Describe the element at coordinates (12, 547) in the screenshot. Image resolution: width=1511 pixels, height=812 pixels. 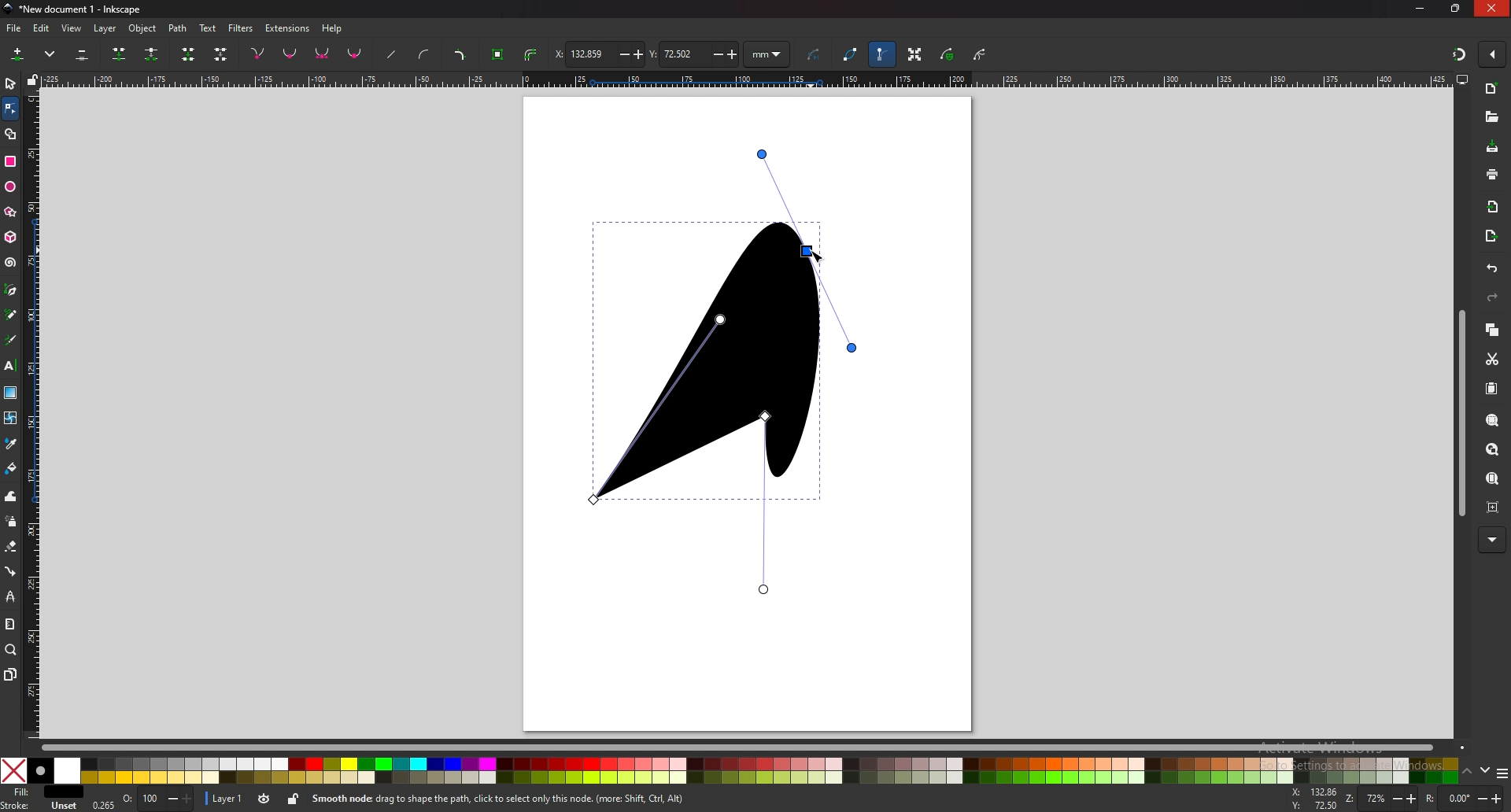
I see `eraser` at that location.